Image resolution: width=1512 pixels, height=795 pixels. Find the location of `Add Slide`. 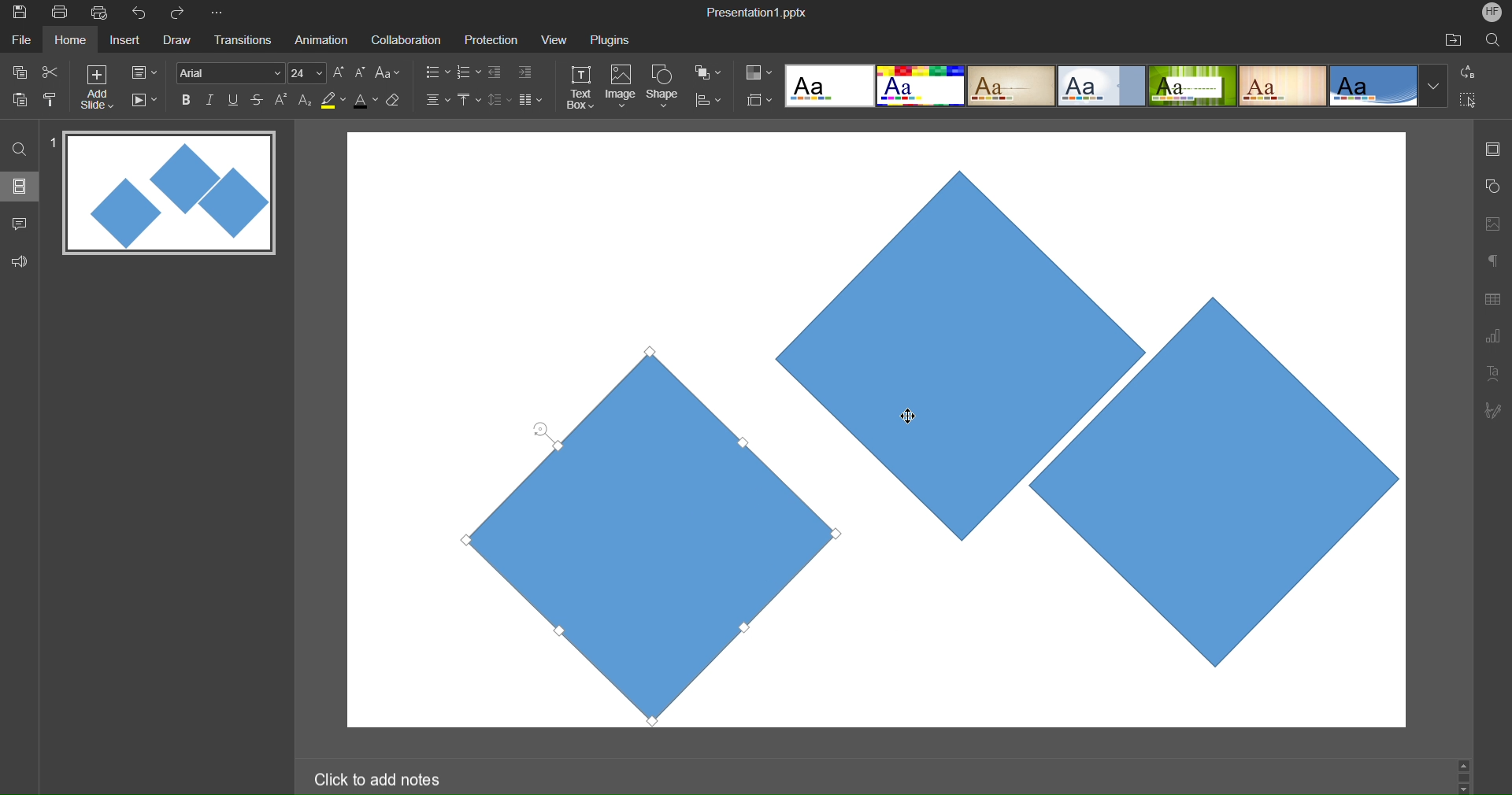

Add Slide is located at coordinates (97, 87).